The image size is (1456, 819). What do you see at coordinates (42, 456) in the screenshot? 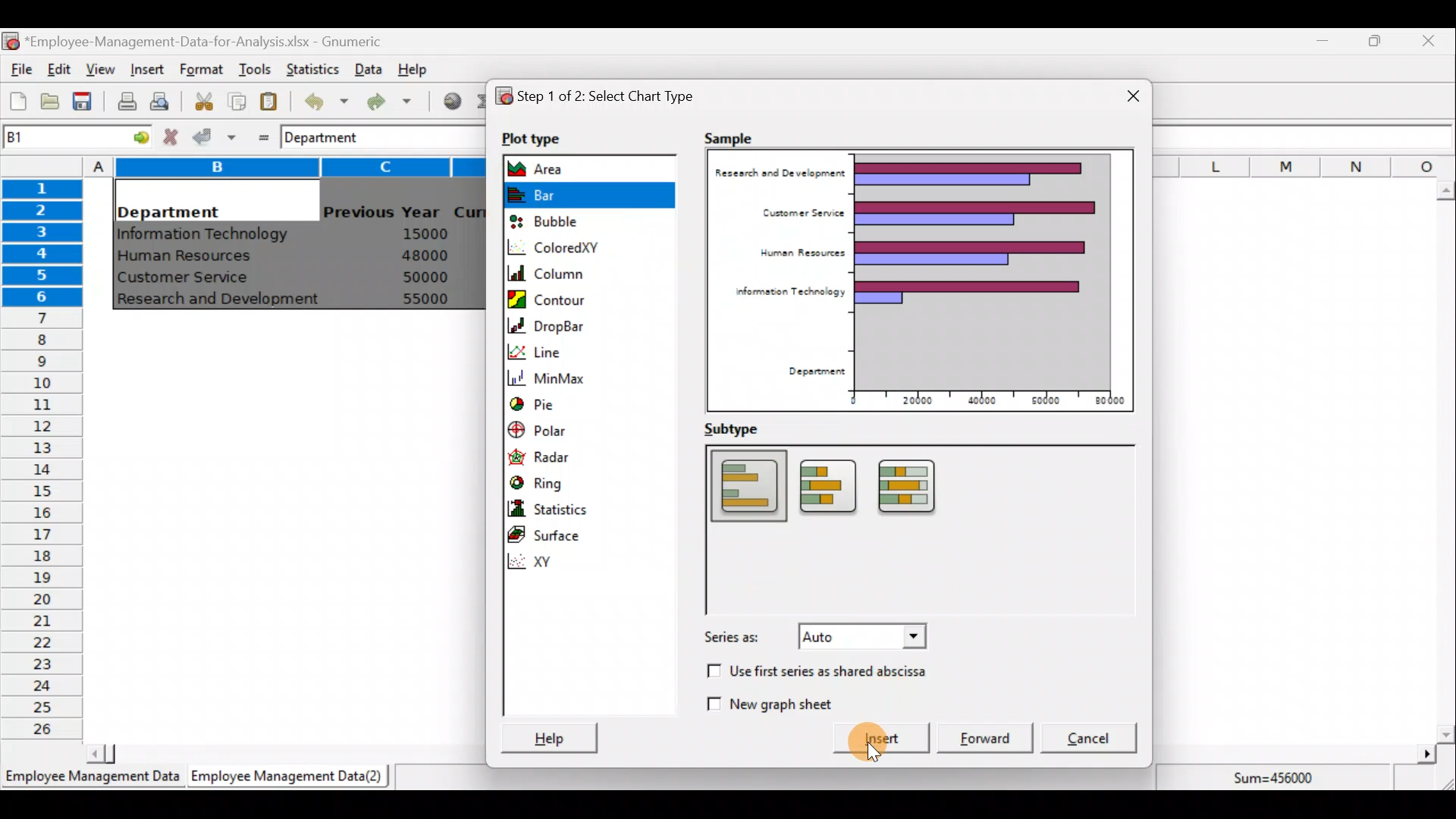
I see `Rows` at bounding box center [42, 456].